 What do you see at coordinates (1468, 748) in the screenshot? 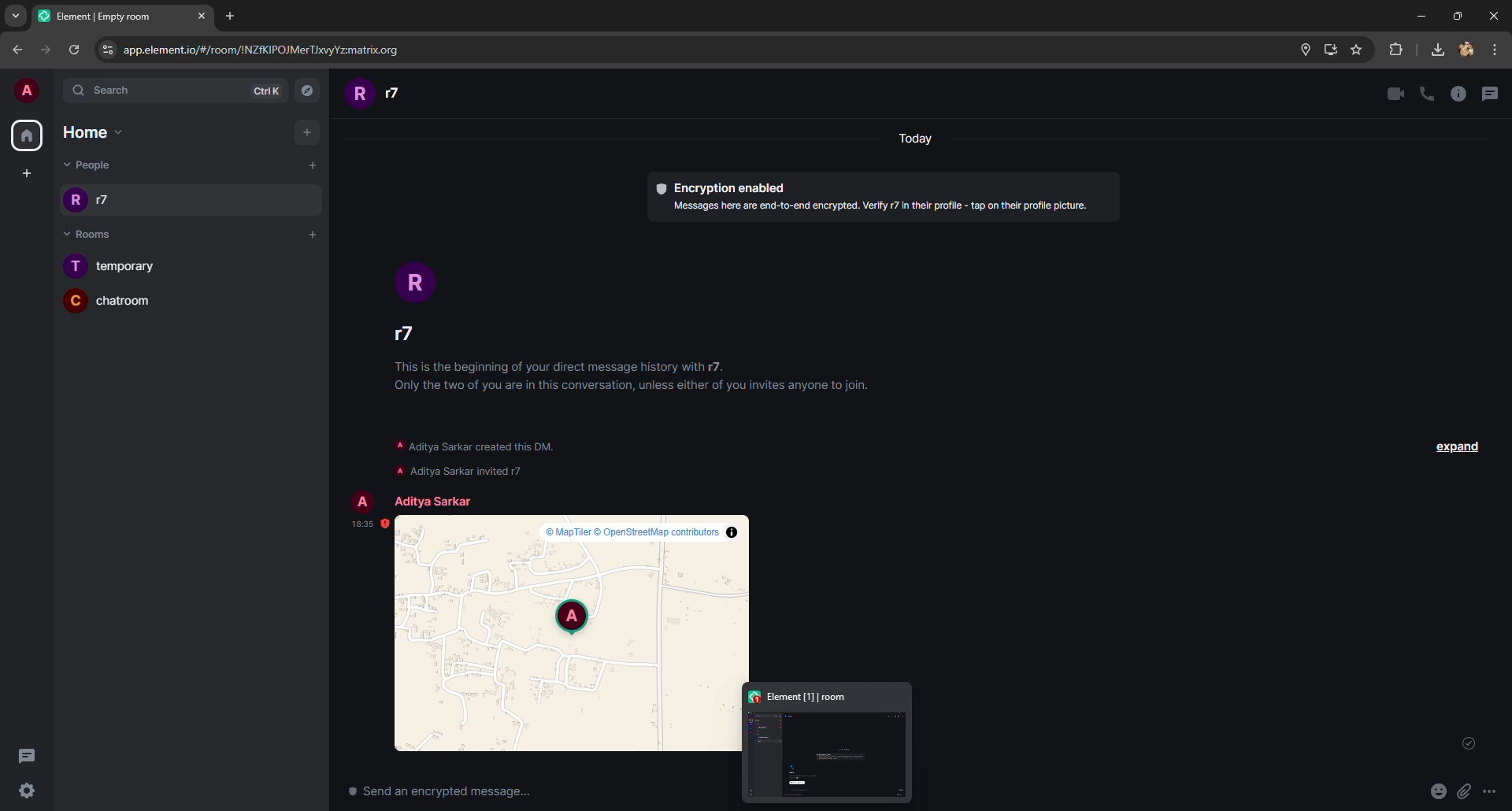
I see `expand` at bounding box center [1468, 748].